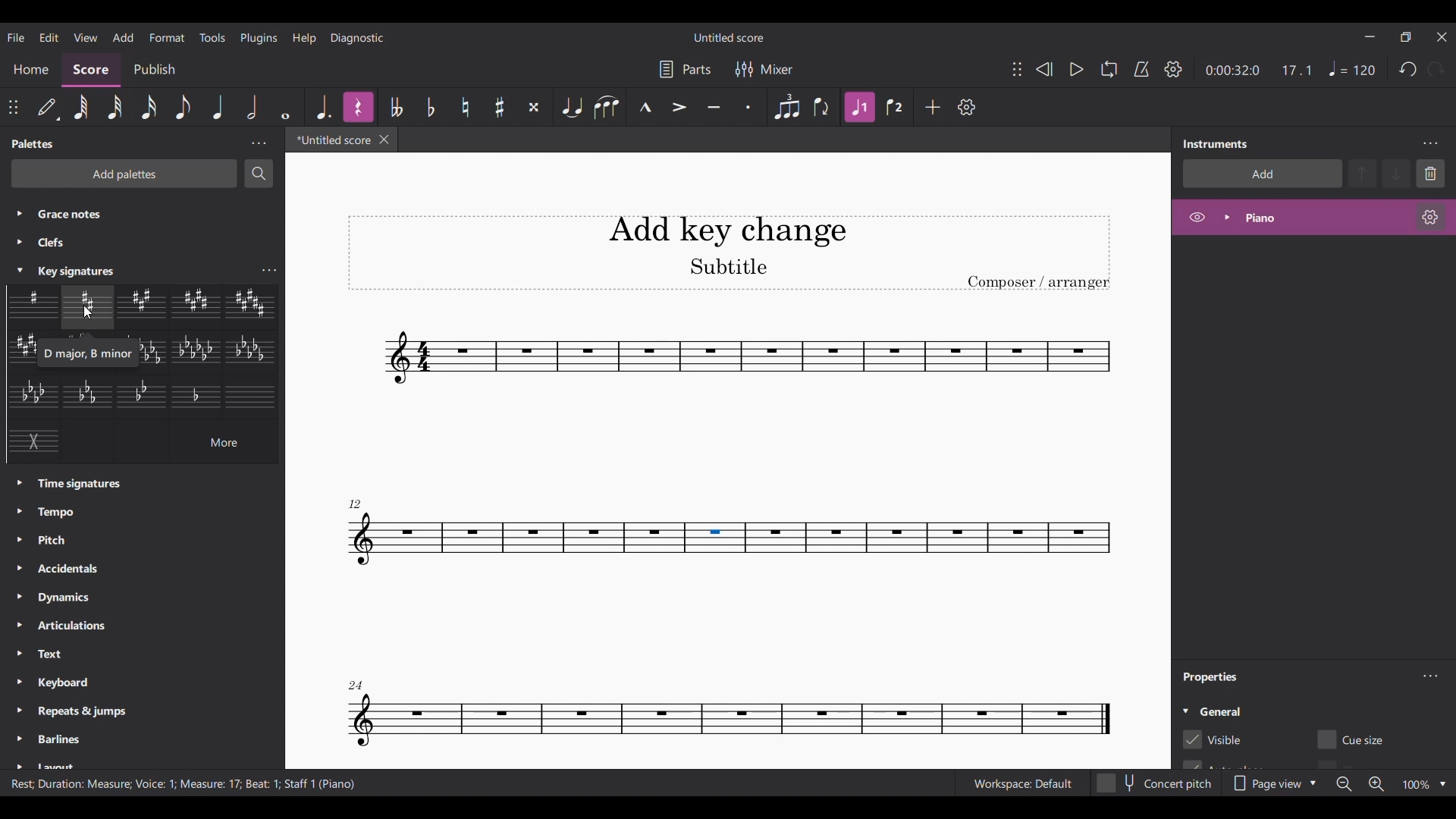  What do you see at coordinates (933, 108) in the screenshot?
I see `Add tool` at bounding box center [933, 108].